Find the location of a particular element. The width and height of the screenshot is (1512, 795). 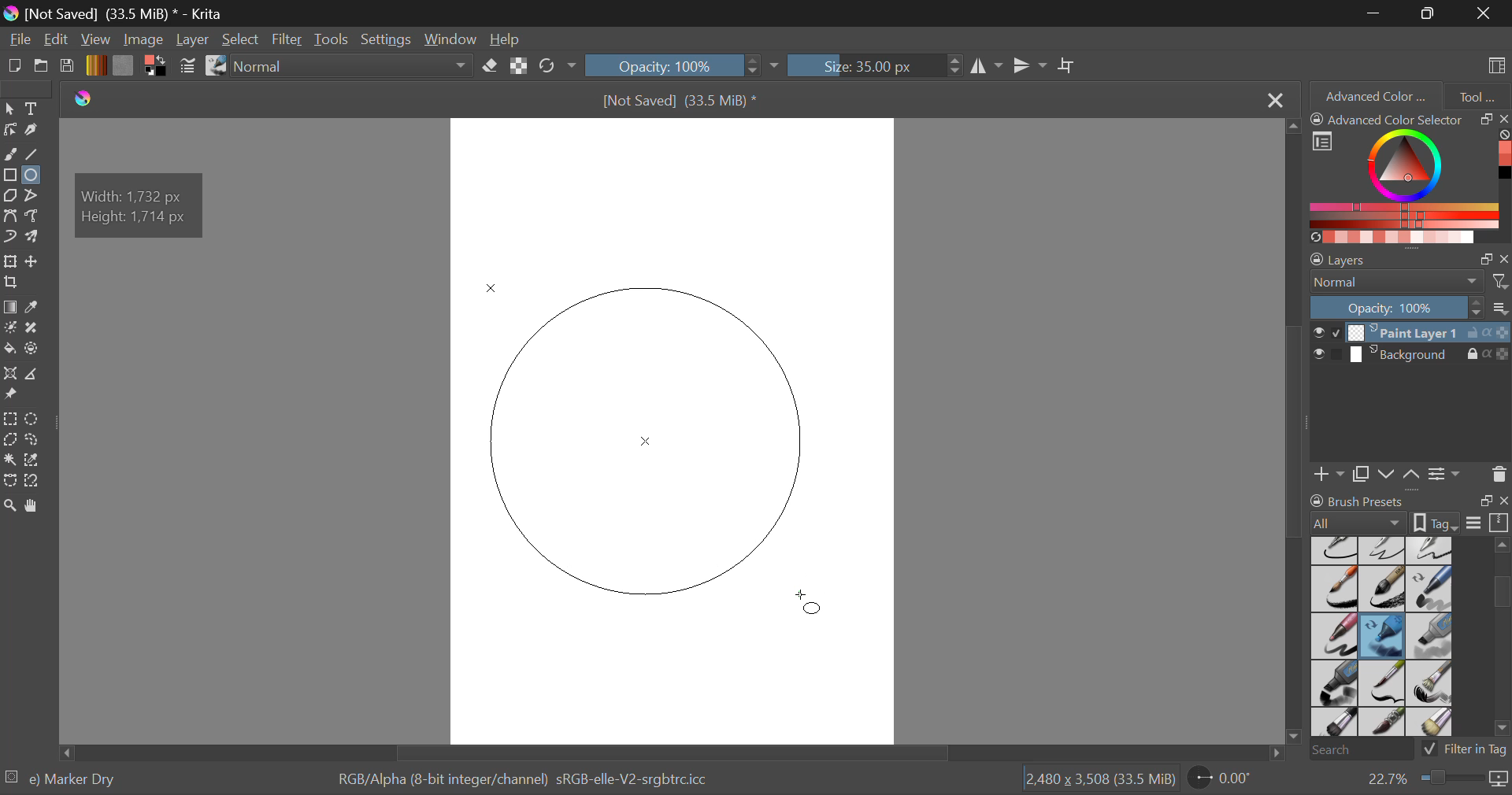

Size : 35px is located at coordinates (874, 65).